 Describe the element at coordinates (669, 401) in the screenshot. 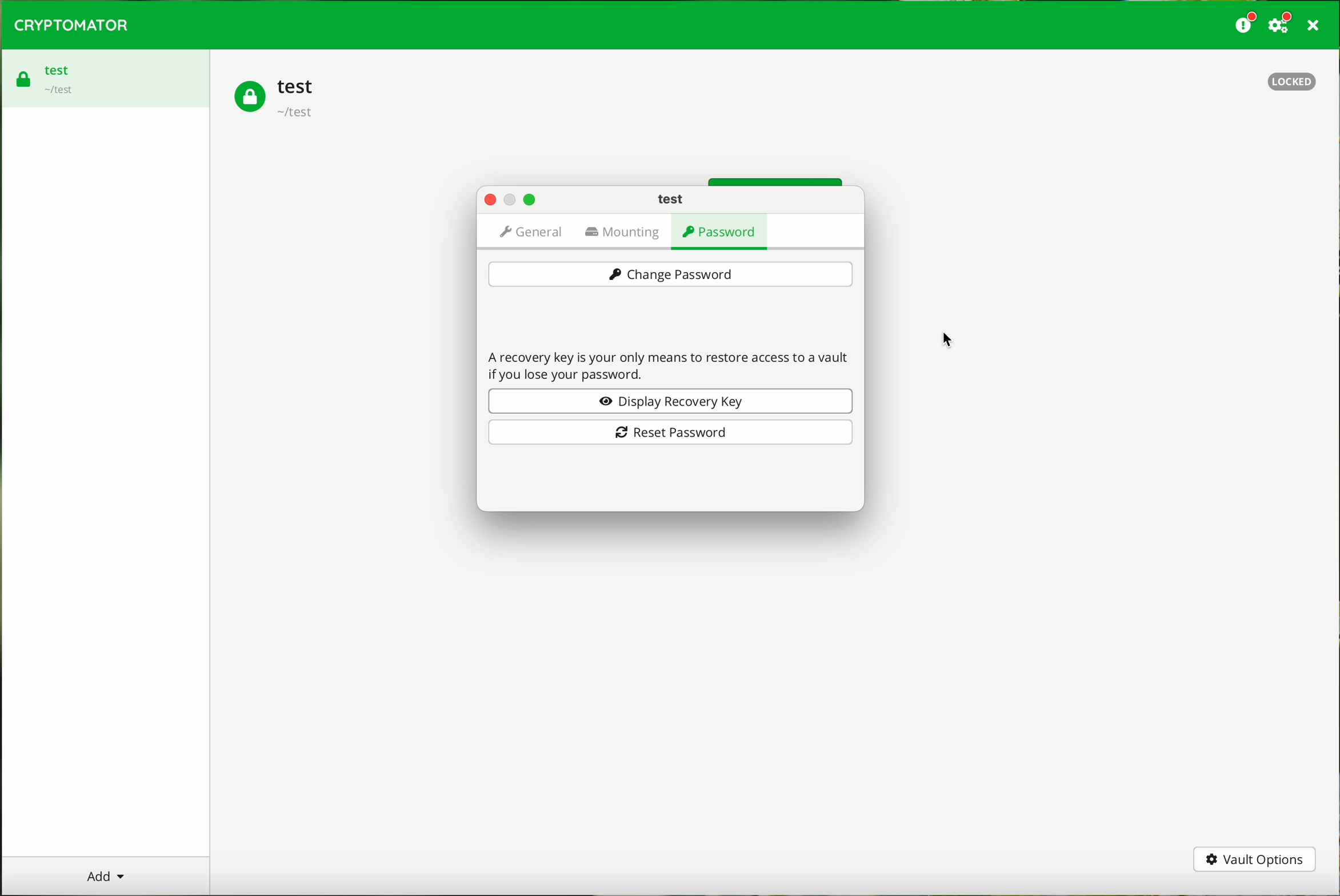

I see `display recovery key` at that location.